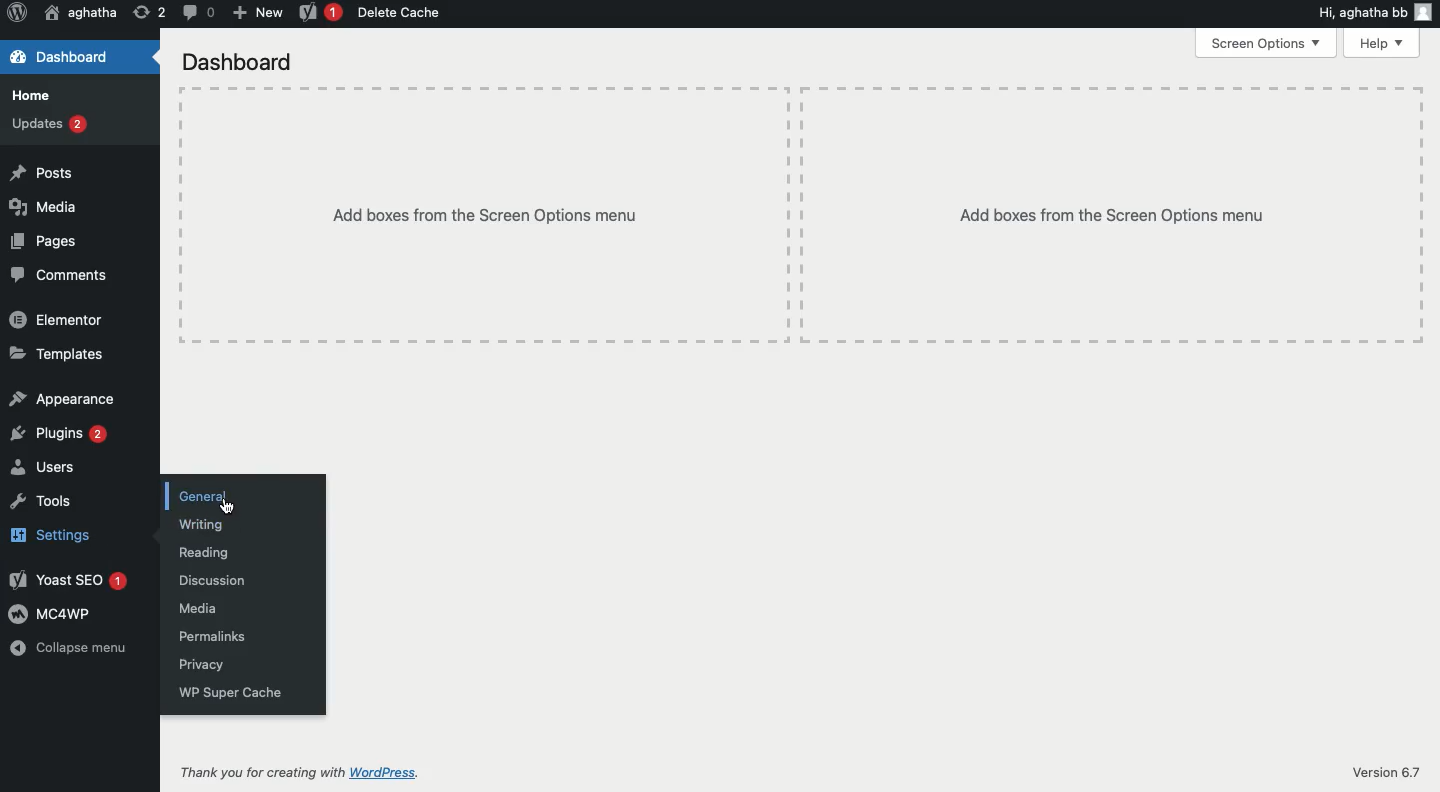  I want to click on aghatha, so click(75, 14).